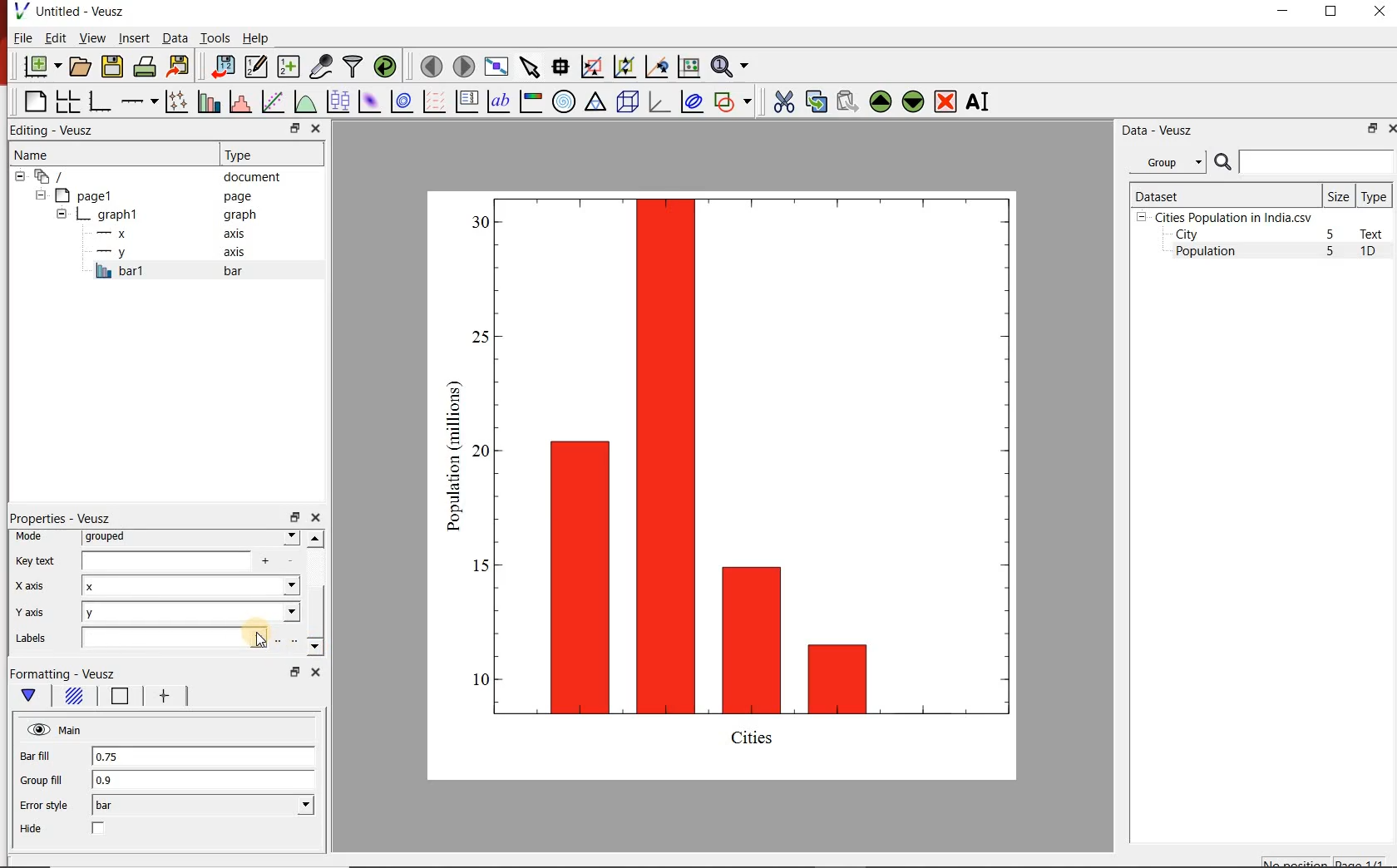  What do you see at coordinates (622, 68) in the screenshot?
I see `click to zoom out of graph axes` at bounding box center [622, 68].